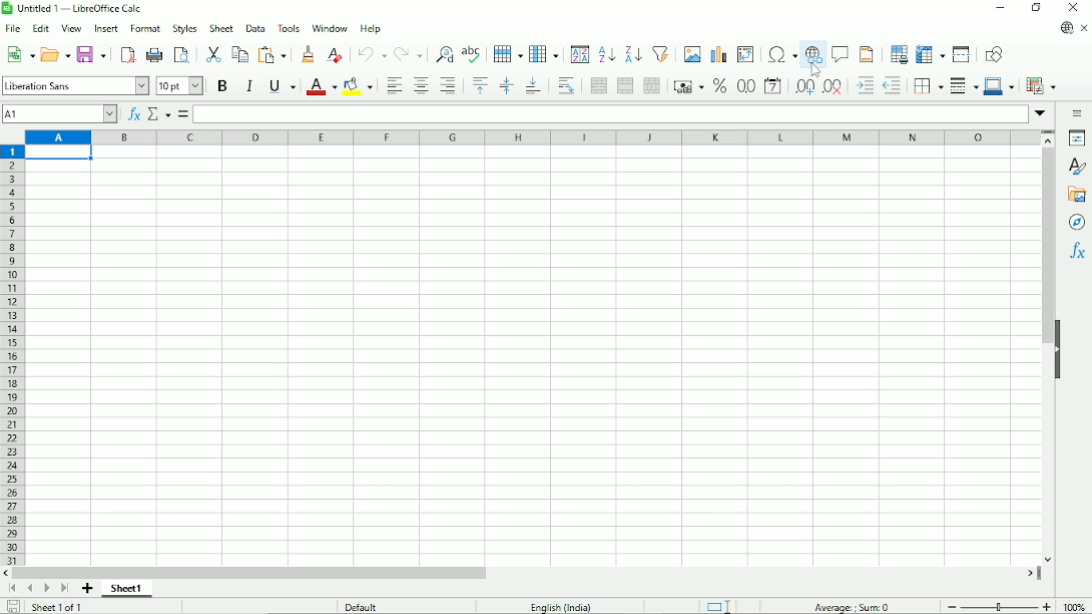 This screenshot has height=614, width=1092. I want to click on file, so click(13, 28).